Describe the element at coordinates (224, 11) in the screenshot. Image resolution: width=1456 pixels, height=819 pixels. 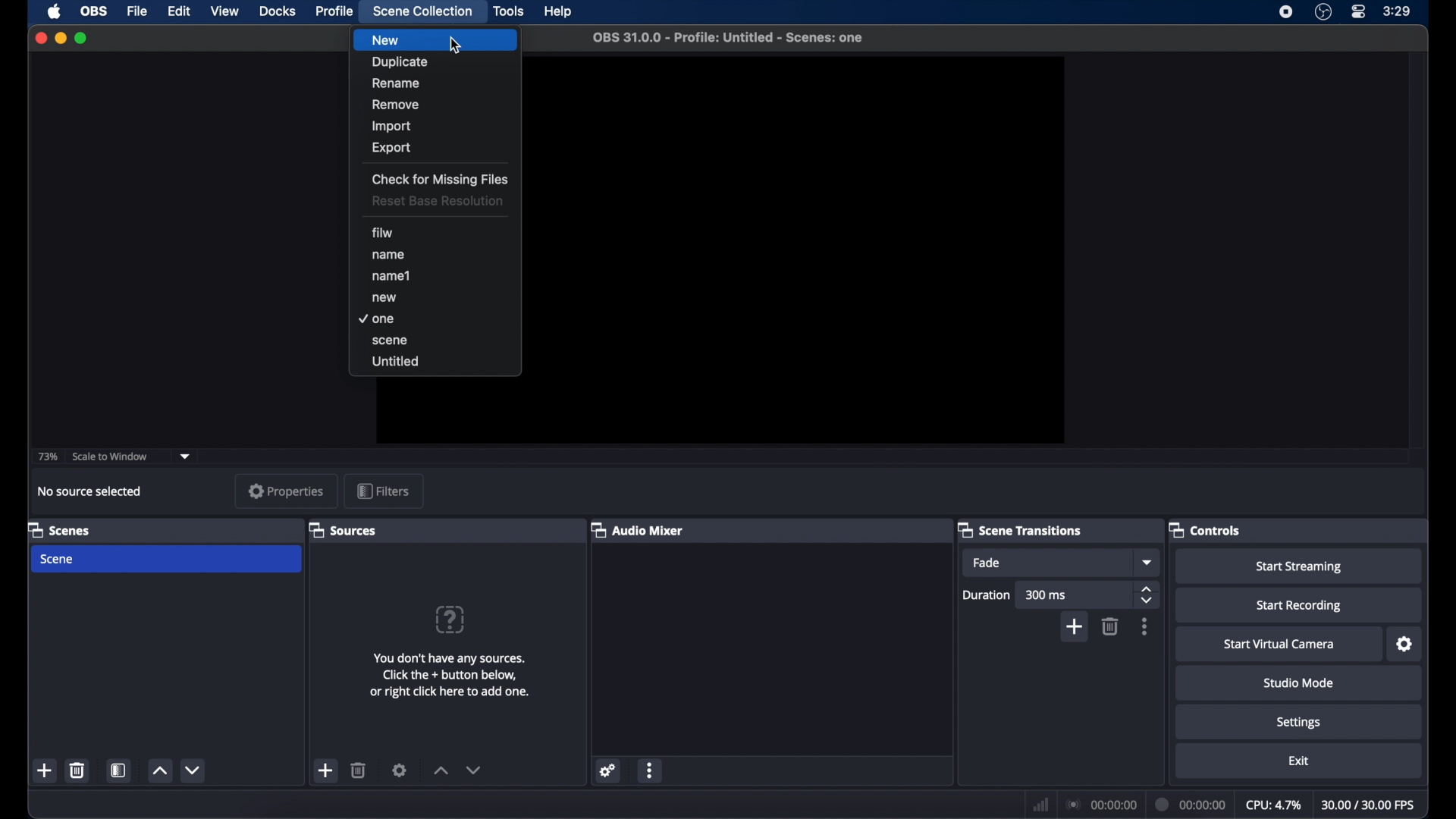
I see `view` at that location.